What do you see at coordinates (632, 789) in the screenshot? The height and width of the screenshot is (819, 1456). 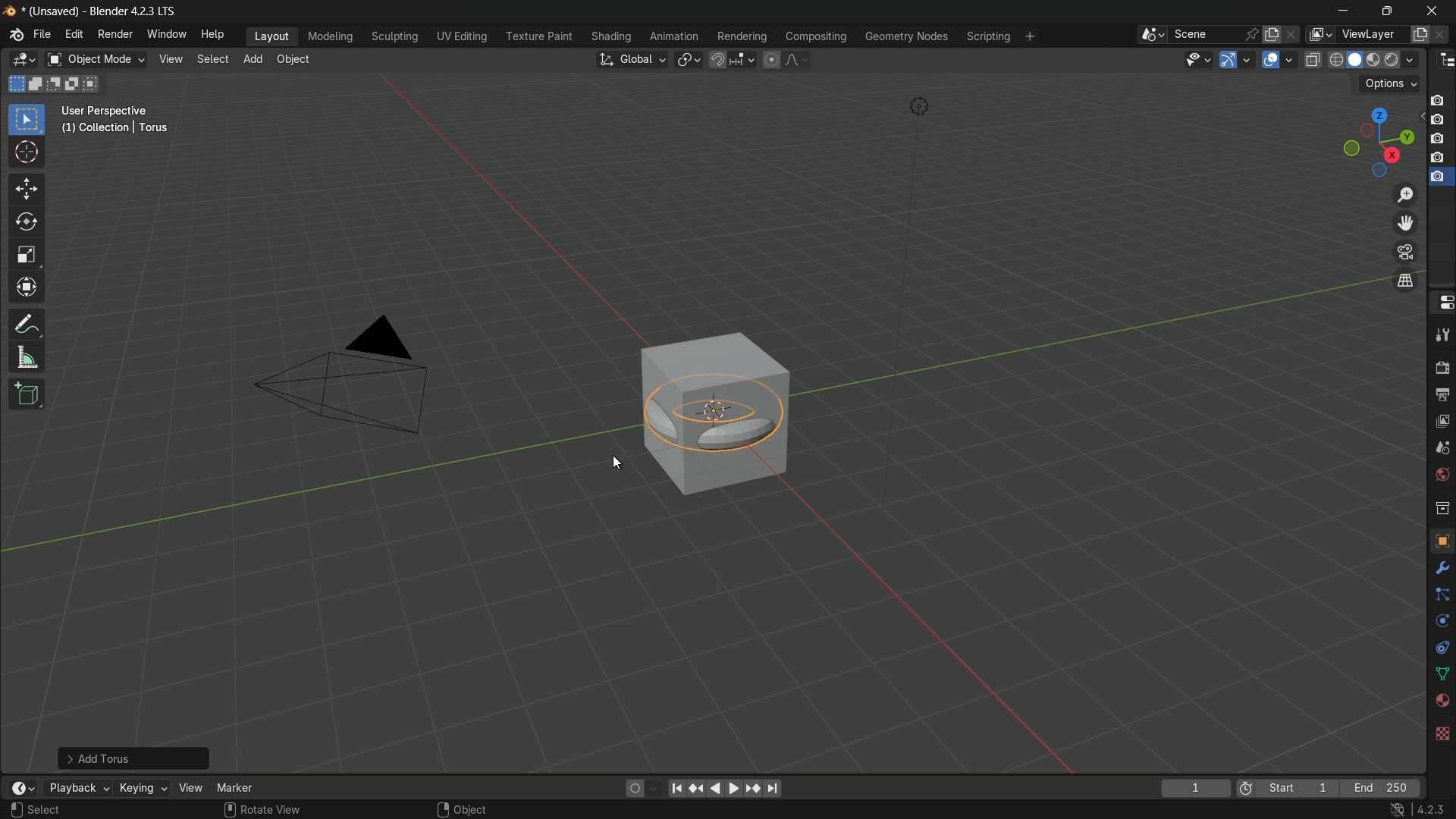 I see `auto keying` at bounding box center [632, 789].